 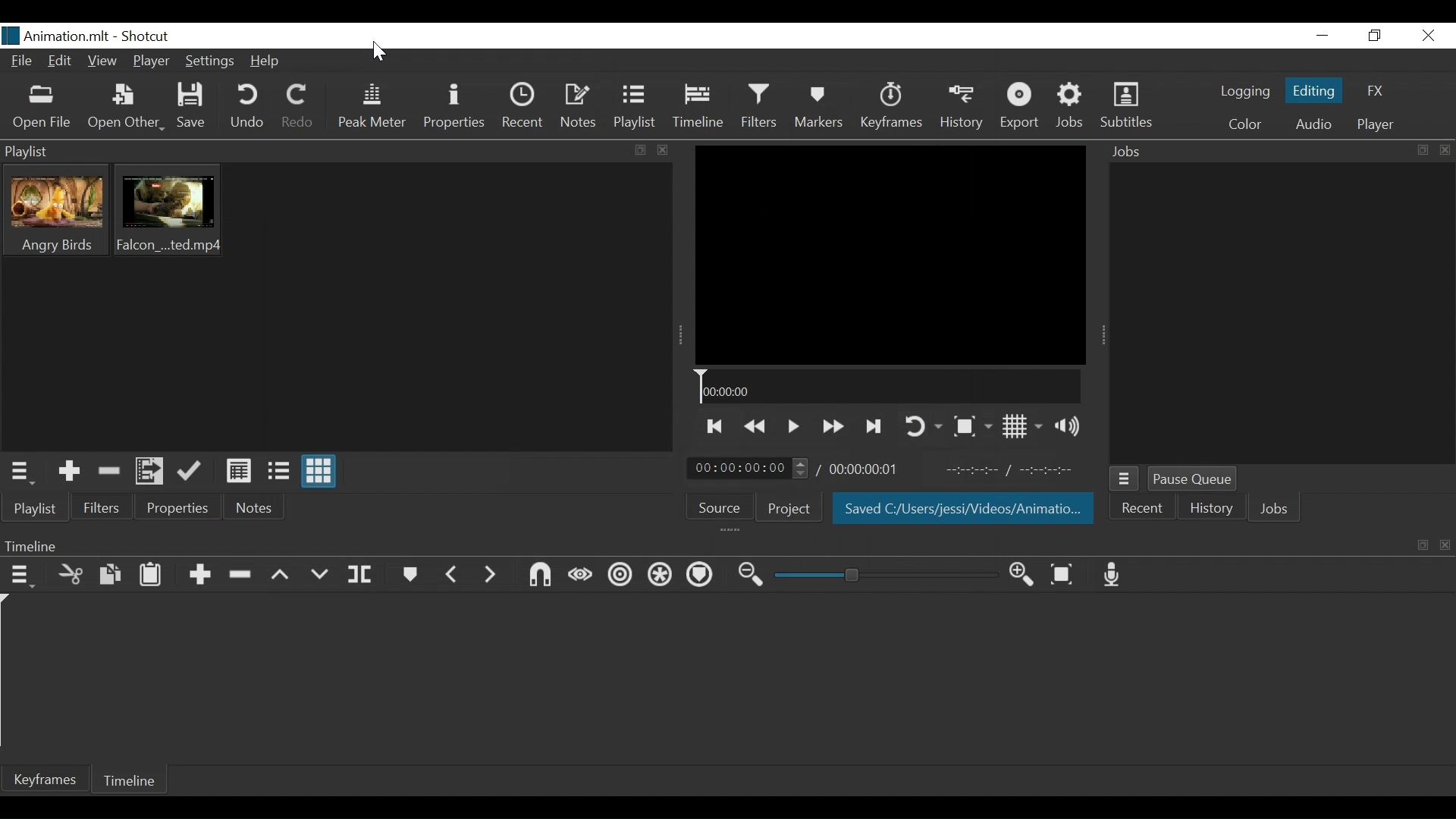 What do you see at coordinates (152, 575) in the screenshot?
I see `Paste` at bounding box center [152, 575].